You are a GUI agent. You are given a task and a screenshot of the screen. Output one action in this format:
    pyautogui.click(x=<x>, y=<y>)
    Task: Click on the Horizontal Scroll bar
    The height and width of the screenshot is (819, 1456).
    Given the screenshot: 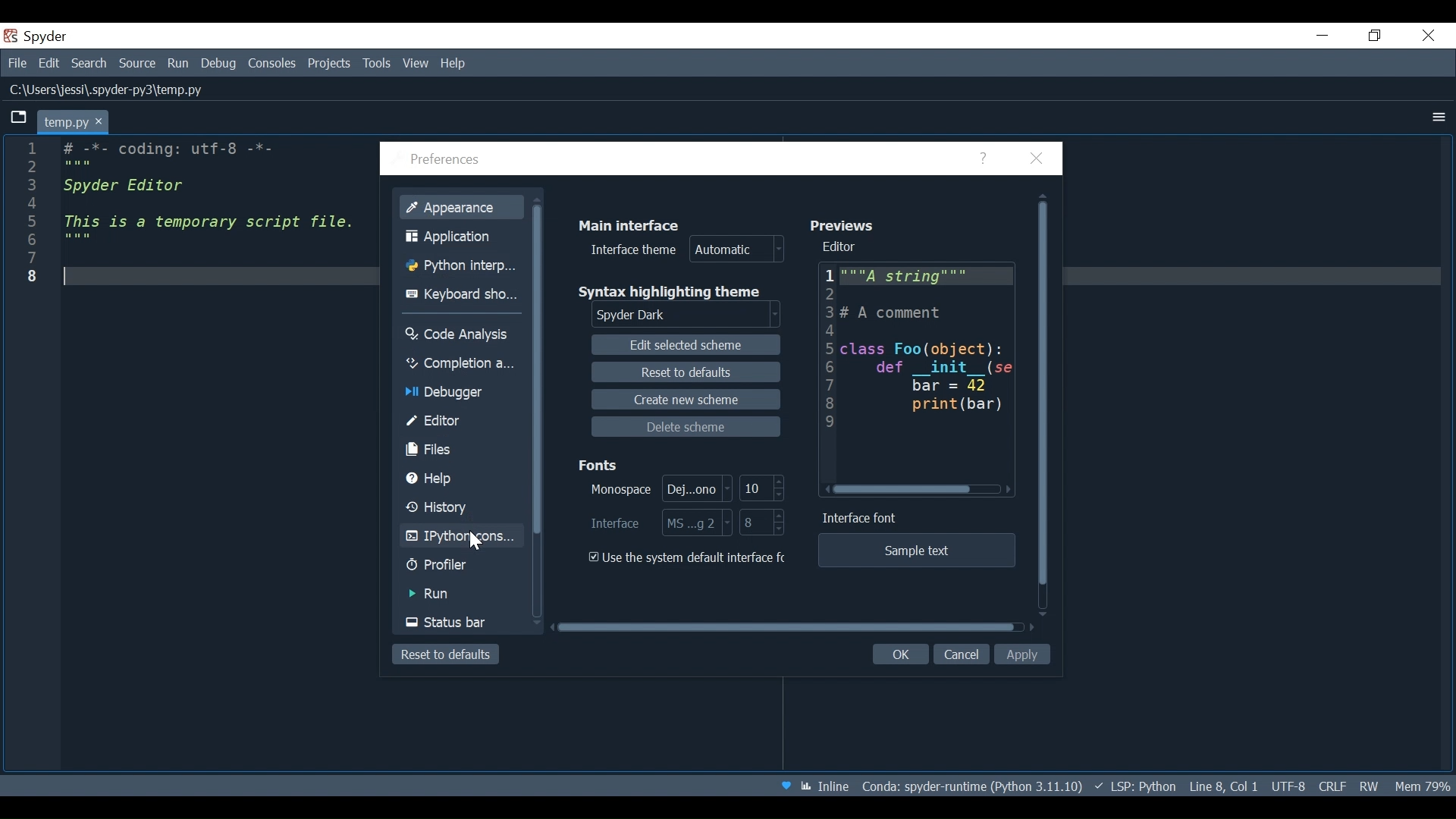 What is the action you would take?
    pyautogui.click(x=792, y=627)
    